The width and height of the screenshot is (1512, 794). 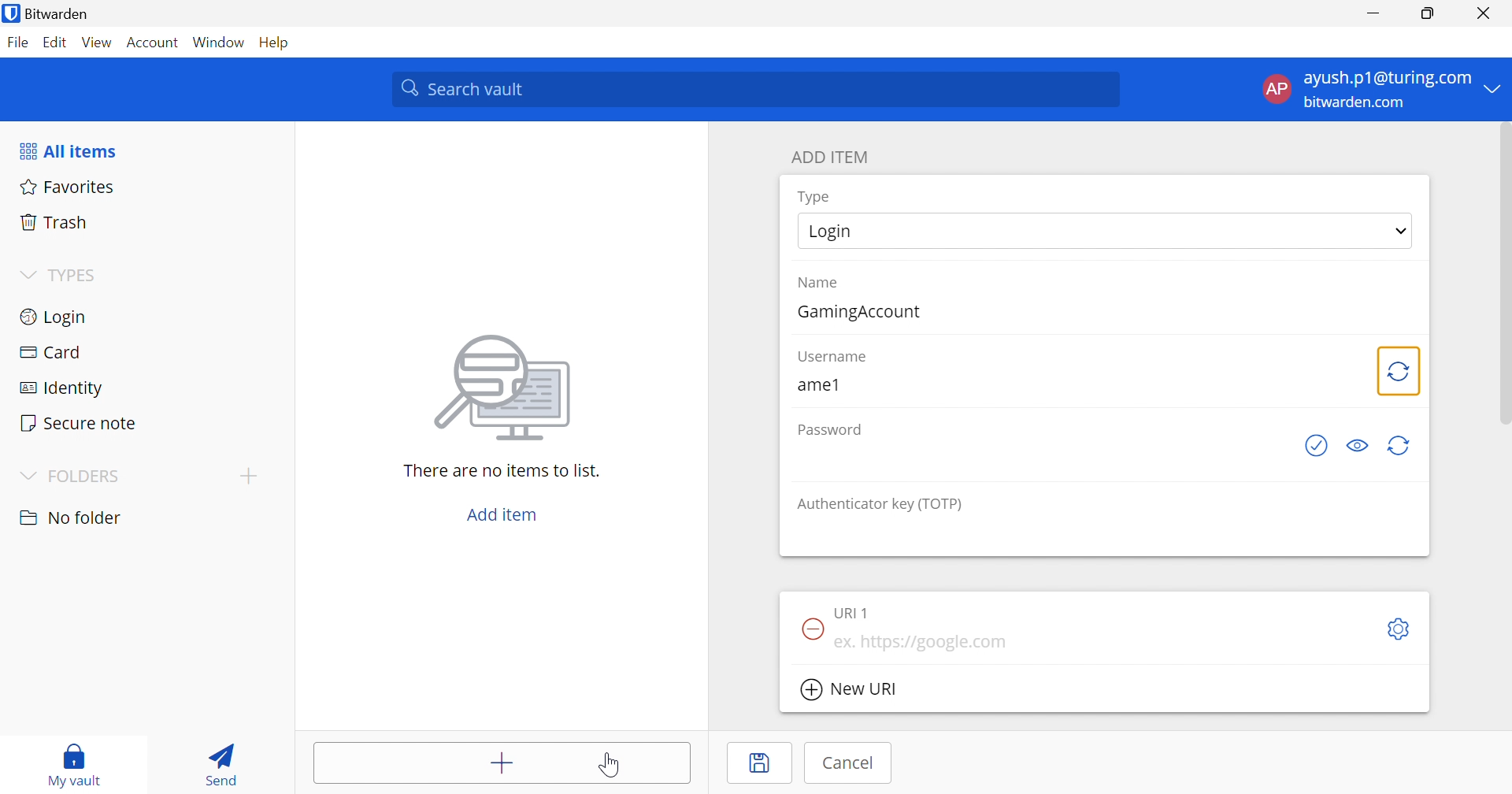 I want to click on Save, so click(x=762, y=763).